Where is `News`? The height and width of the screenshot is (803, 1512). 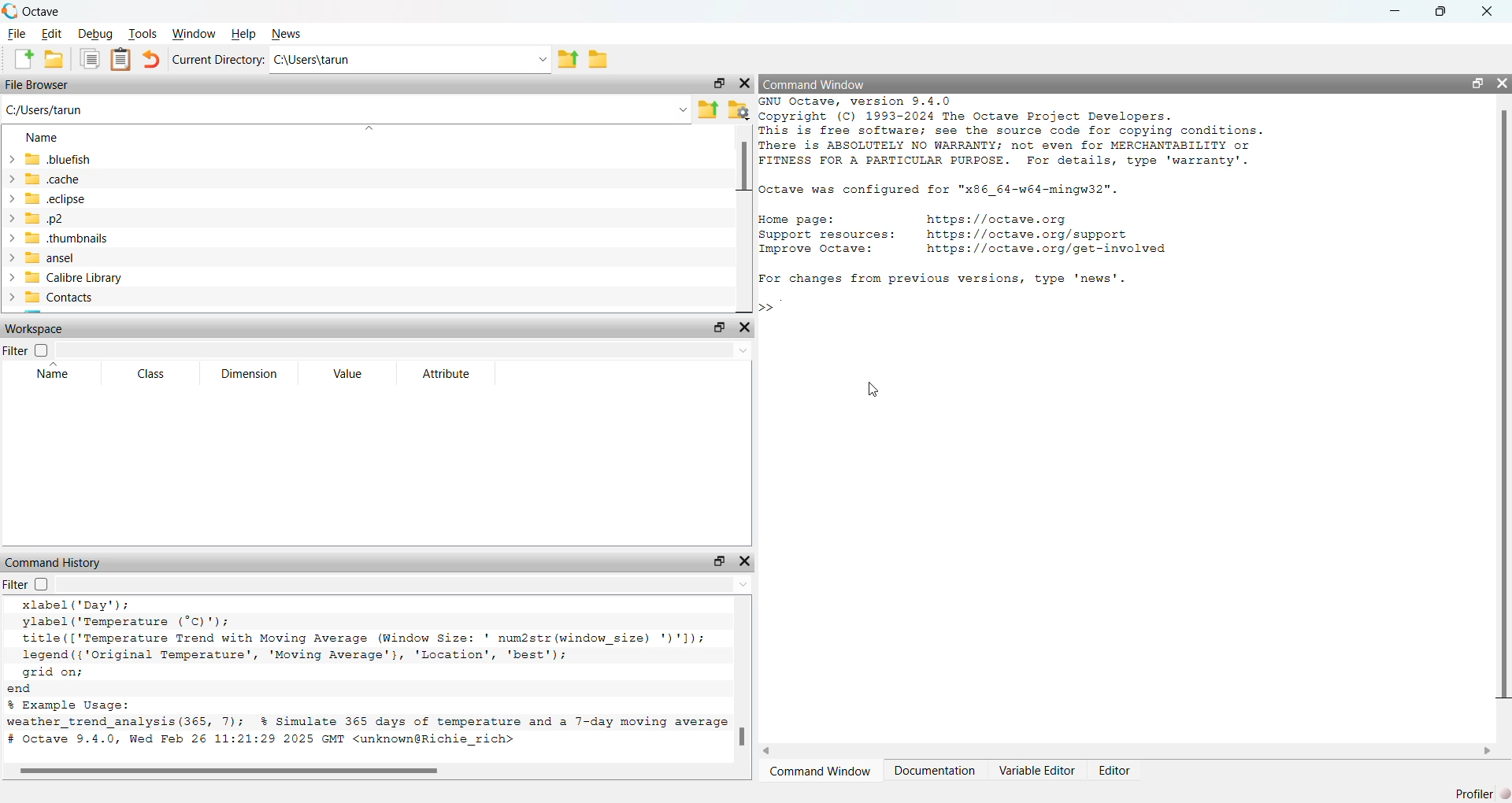
News is located at coordinates (291, 34).